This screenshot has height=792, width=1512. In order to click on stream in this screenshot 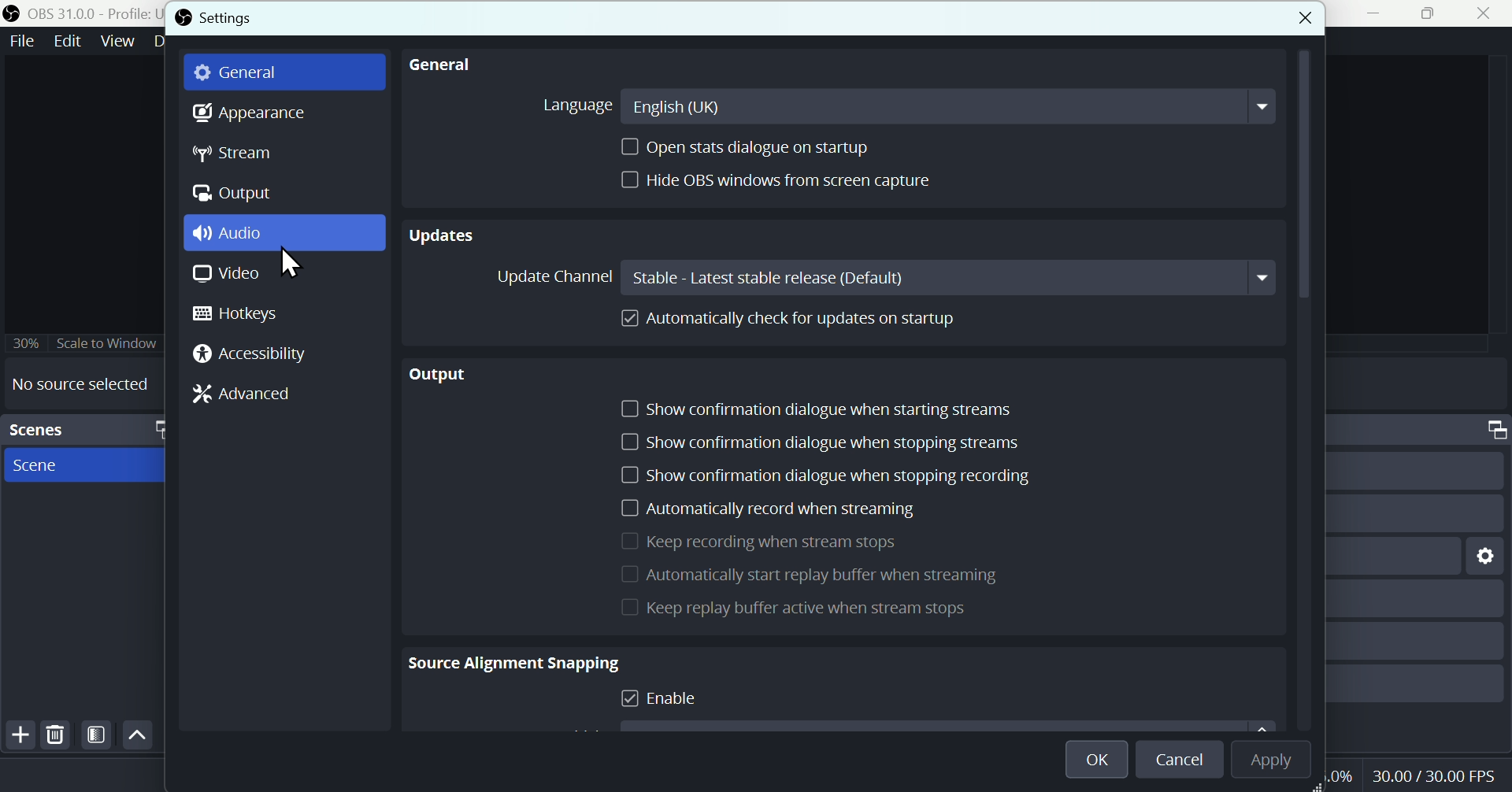, I will do `click(234, 152)`.